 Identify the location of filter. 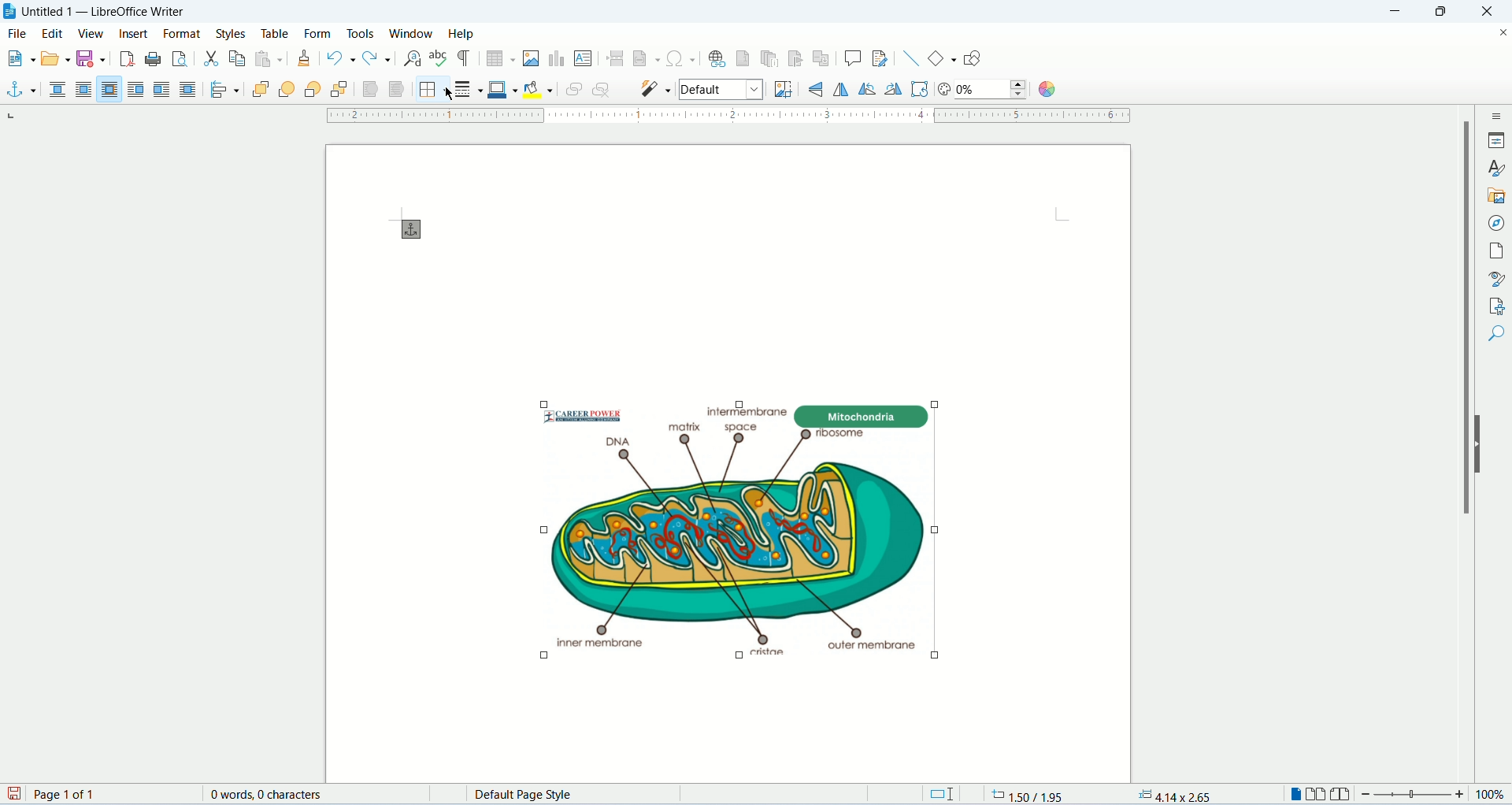
(657, 87).